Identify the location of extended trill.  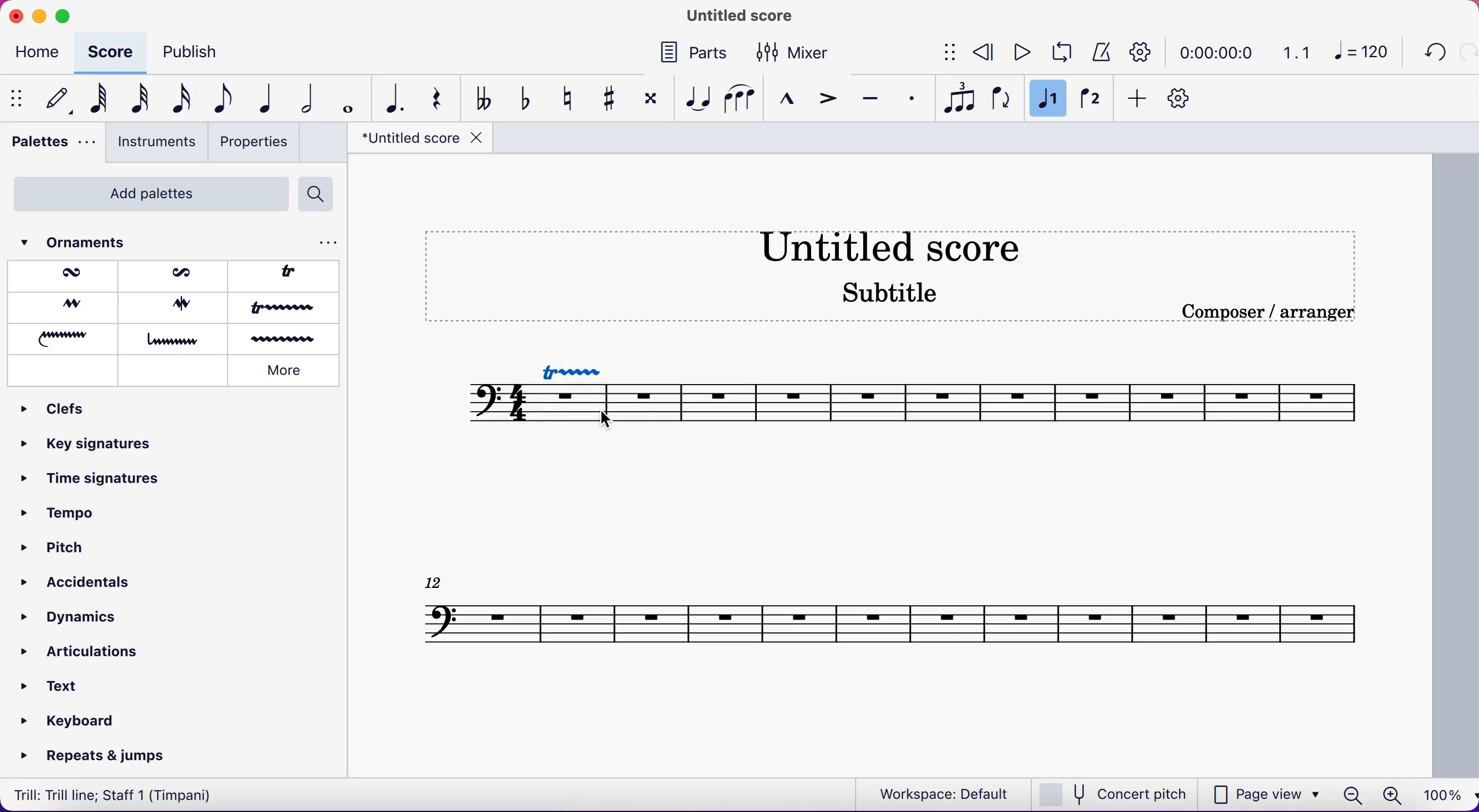
(286, 309).